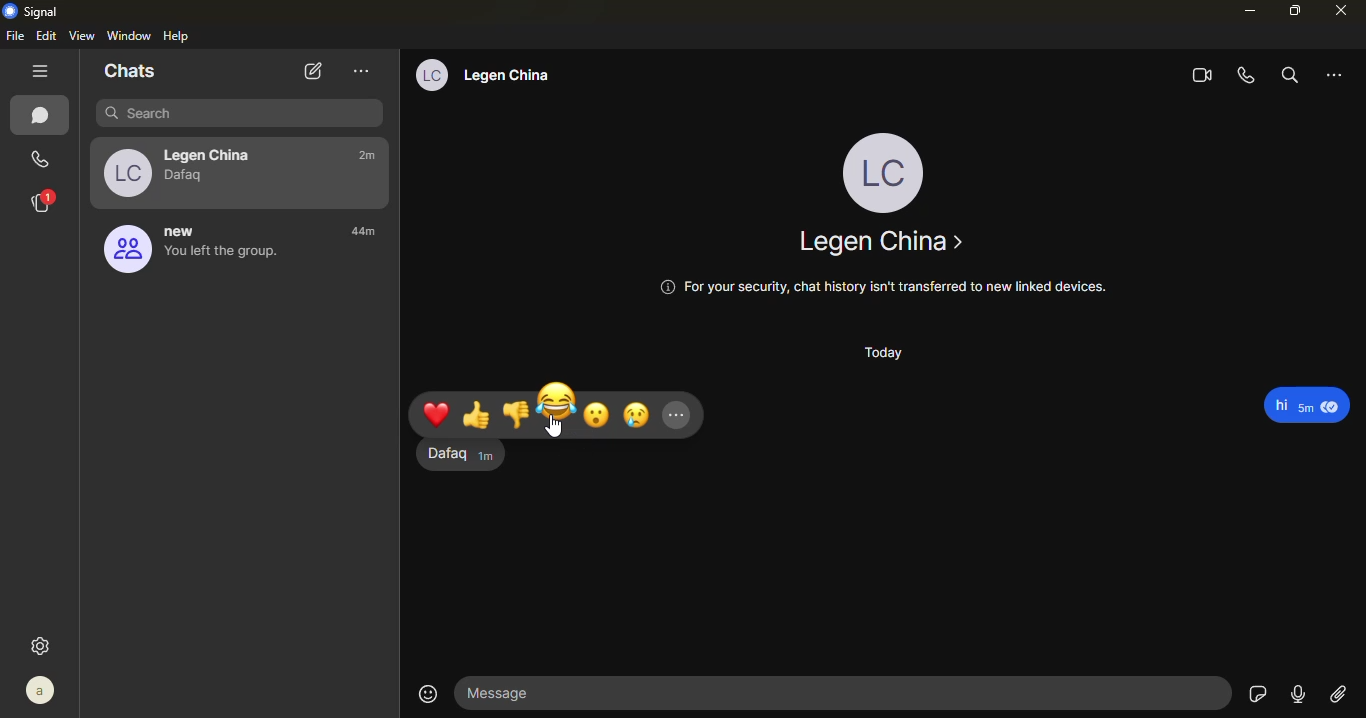 This screenshot has height=718, width=1366. What do you see at coordinates (1247, 11) in the screenshot?
I see `minimize` at bounding box center [1247, 11].